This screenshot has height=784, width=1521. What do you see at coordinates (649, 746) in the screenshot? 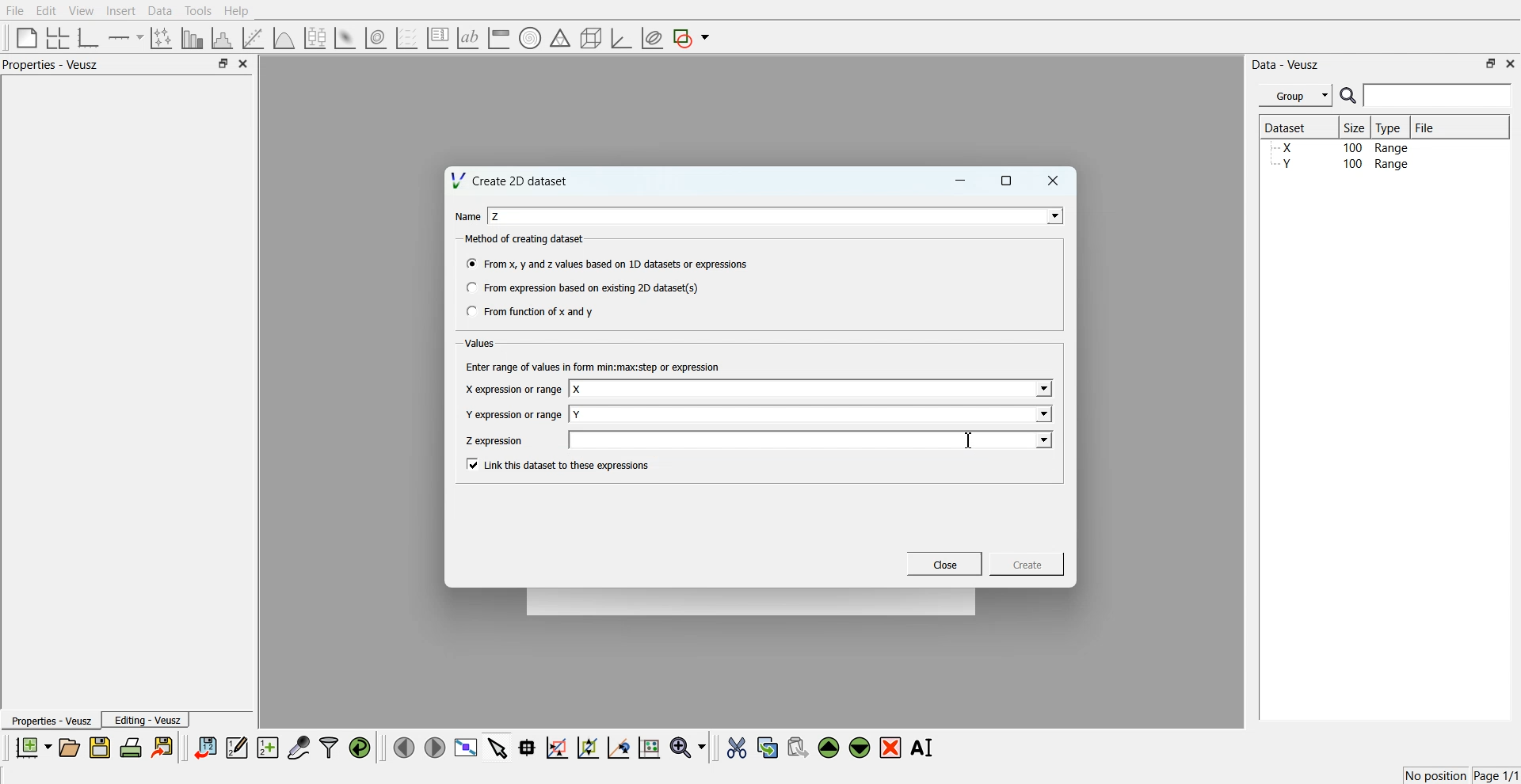
I see `Click to reset graph axes` at bounding box center [649, 746].